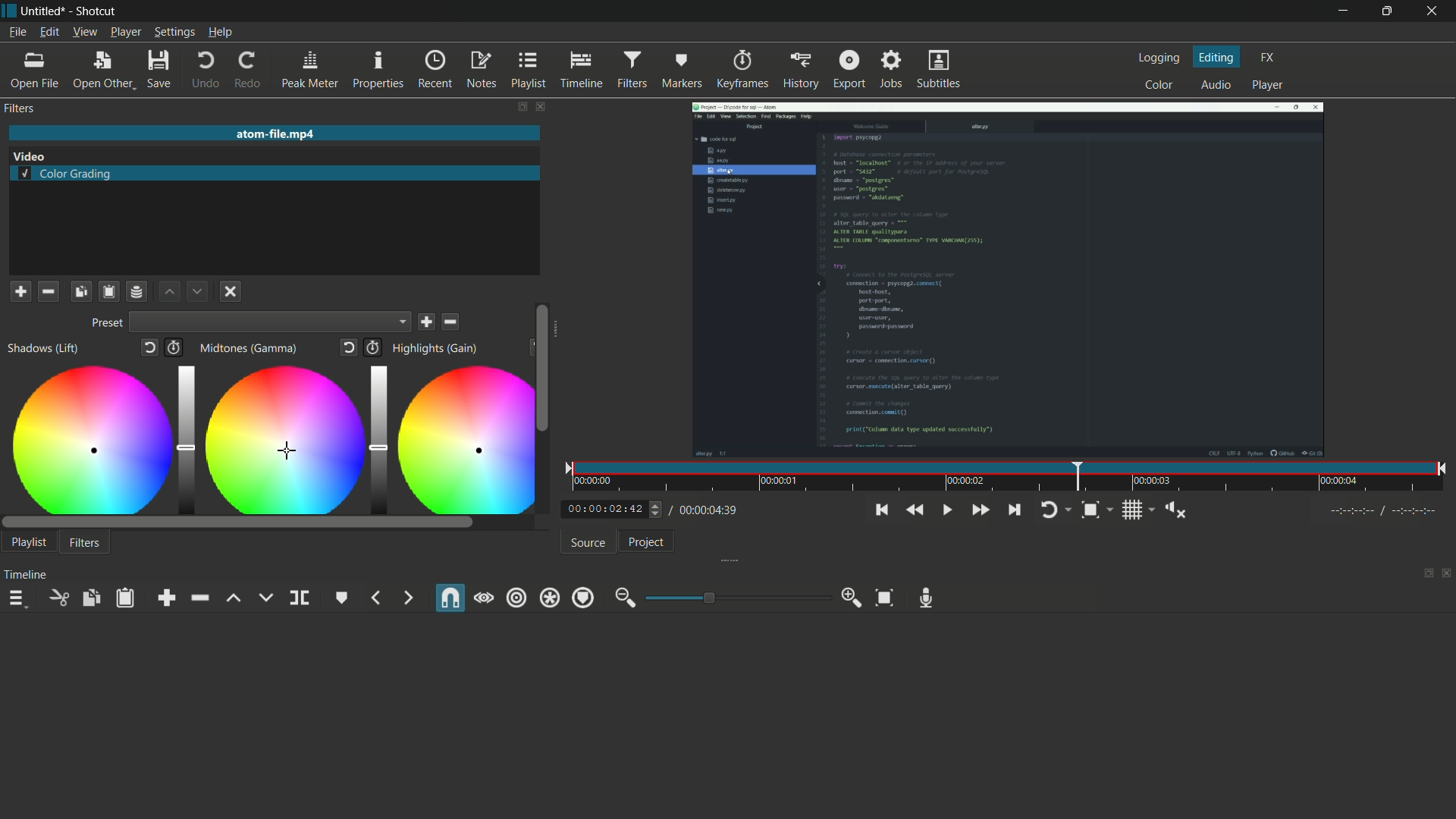  What do you see at coordinates (128, 598) in the screenshot?
I see `paste` at bounding box center [128, 598].